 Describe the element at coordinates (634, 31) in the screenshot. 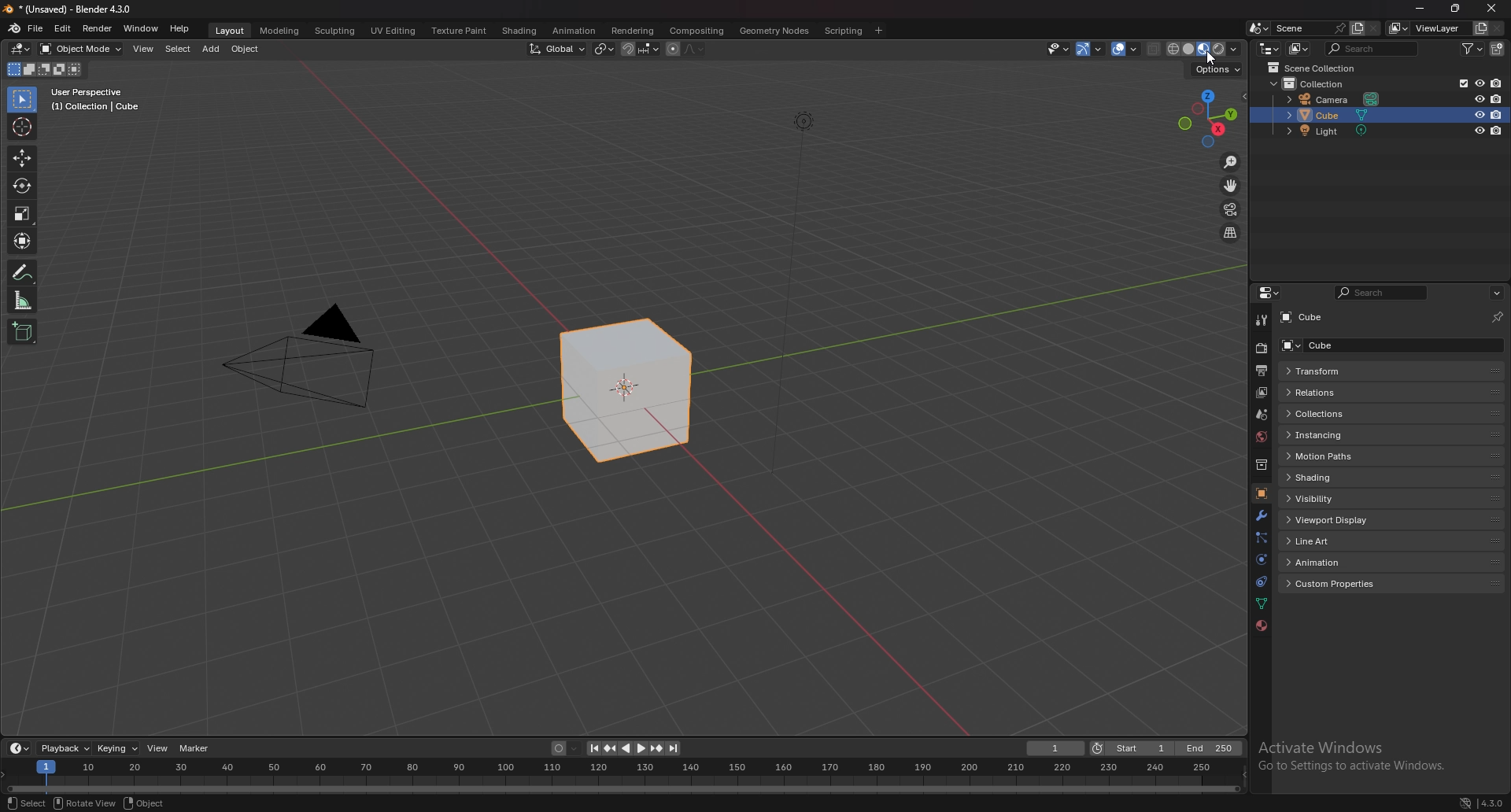

I see `rendering` at that location.